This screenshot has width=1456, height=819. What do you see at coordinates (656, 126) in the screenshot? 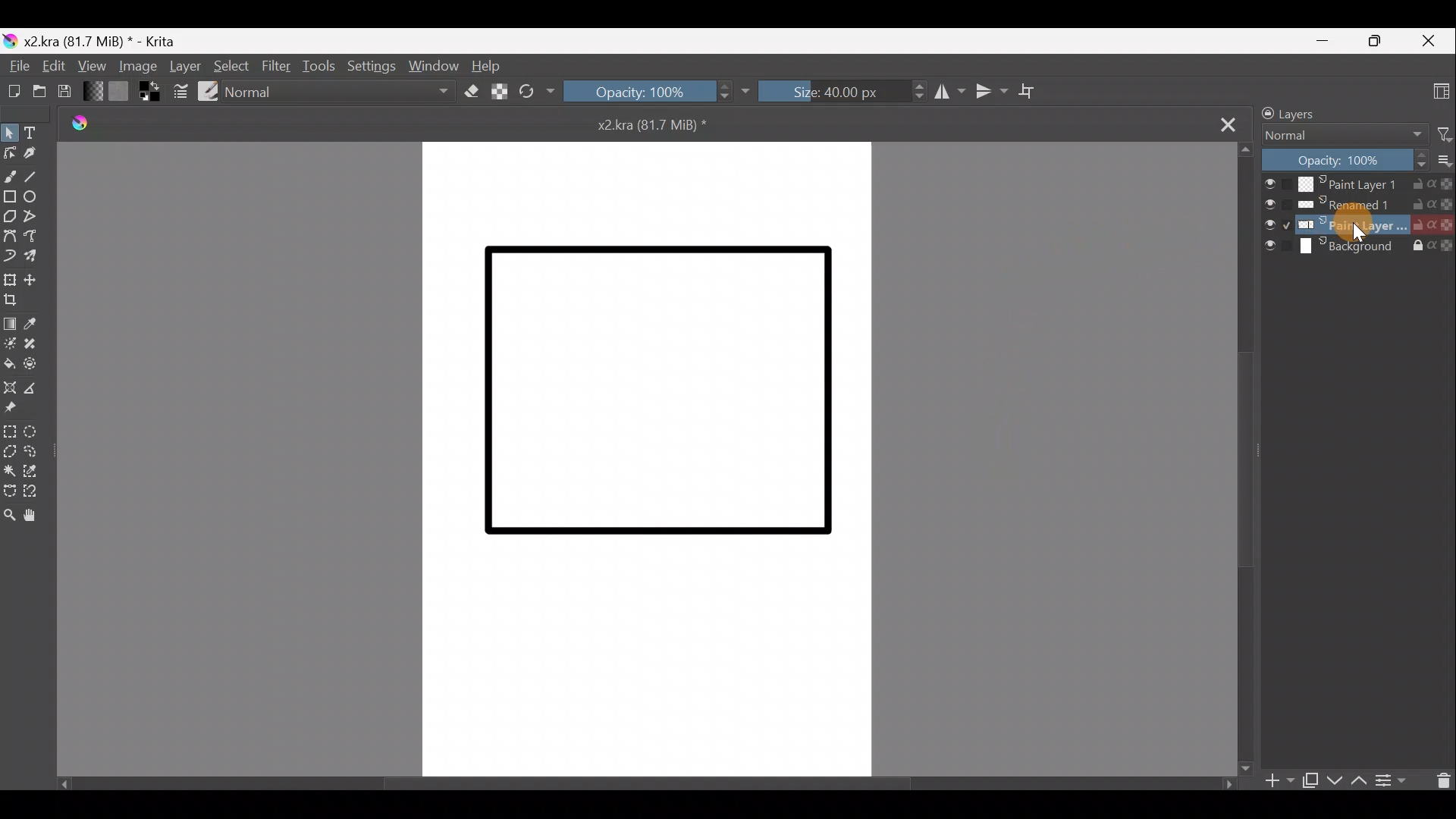
I see `x2kra (81.7 MiB) *` at bounding box center [656, 126].